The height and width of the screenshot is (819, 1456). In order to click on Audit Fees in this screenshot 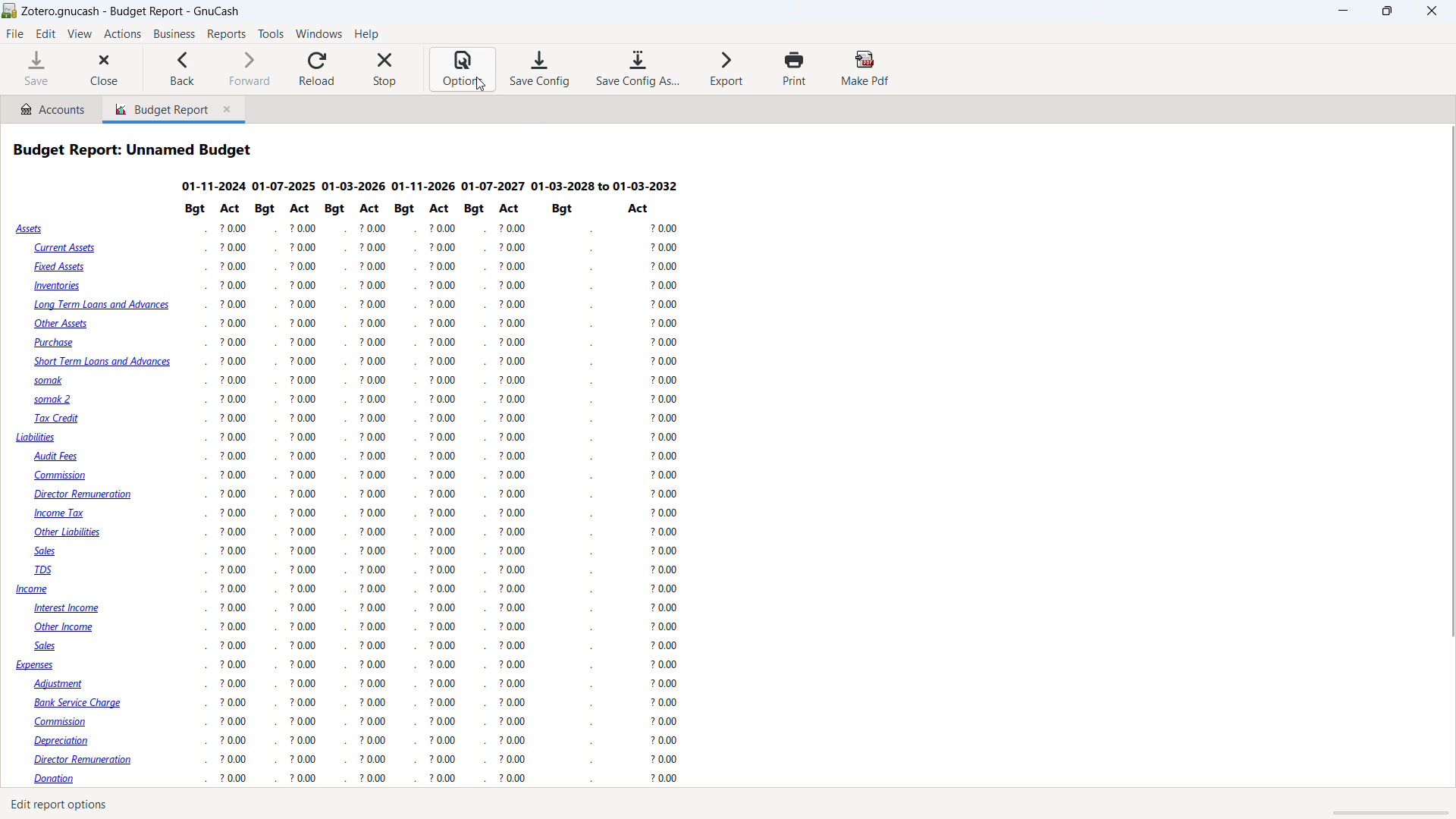, I will do `click(57, 457)`.